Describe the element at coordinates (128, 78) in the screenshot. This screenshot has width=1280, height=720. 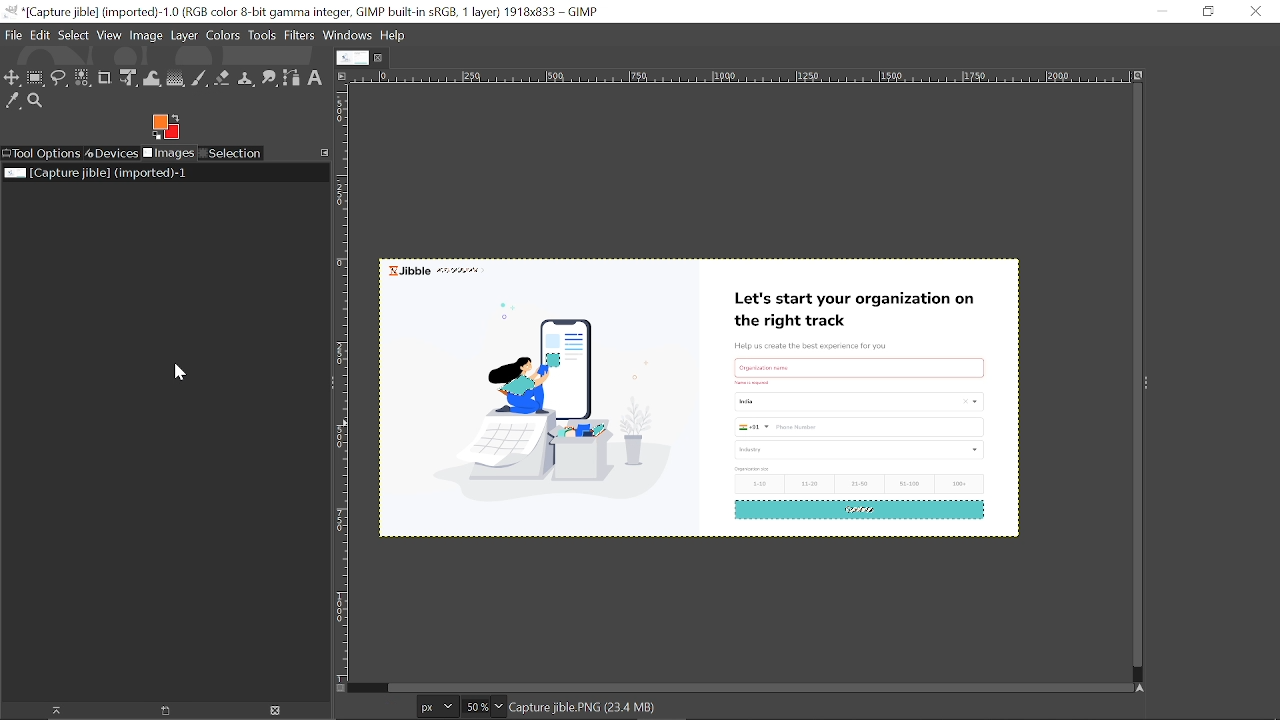
I see `Unified transform tool` at that location.